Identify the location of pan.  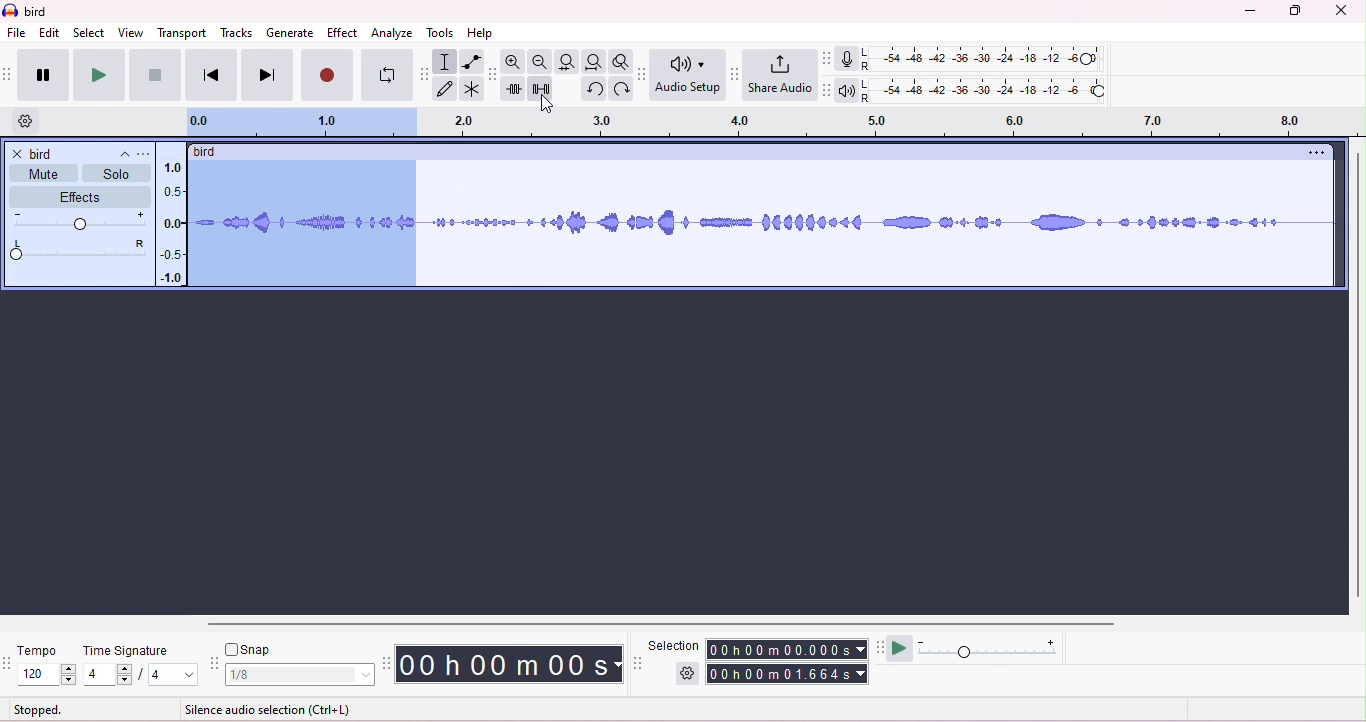
(79, 250).